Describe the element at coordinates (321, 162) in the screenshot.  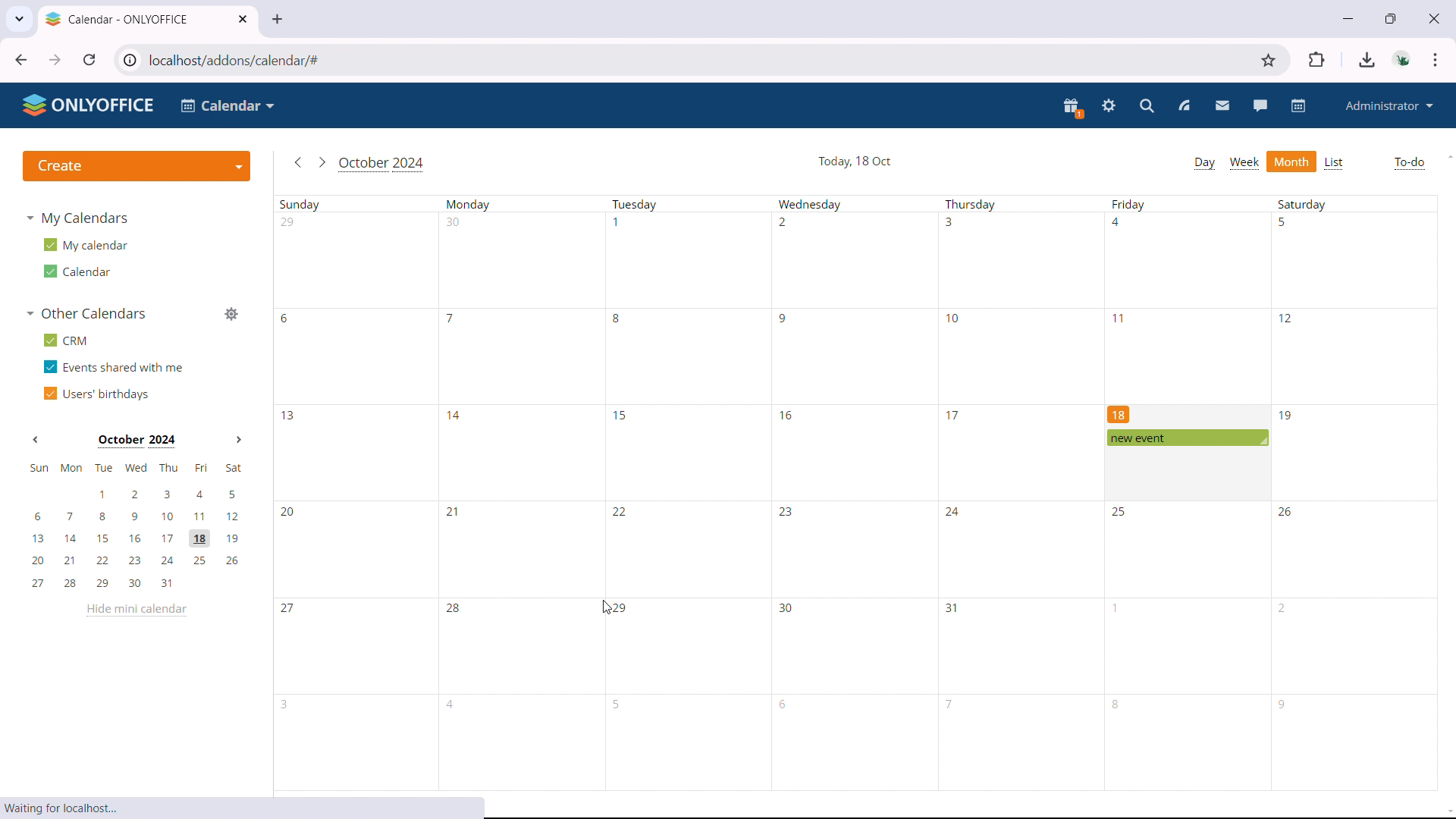
I see `go to next month` at that location.